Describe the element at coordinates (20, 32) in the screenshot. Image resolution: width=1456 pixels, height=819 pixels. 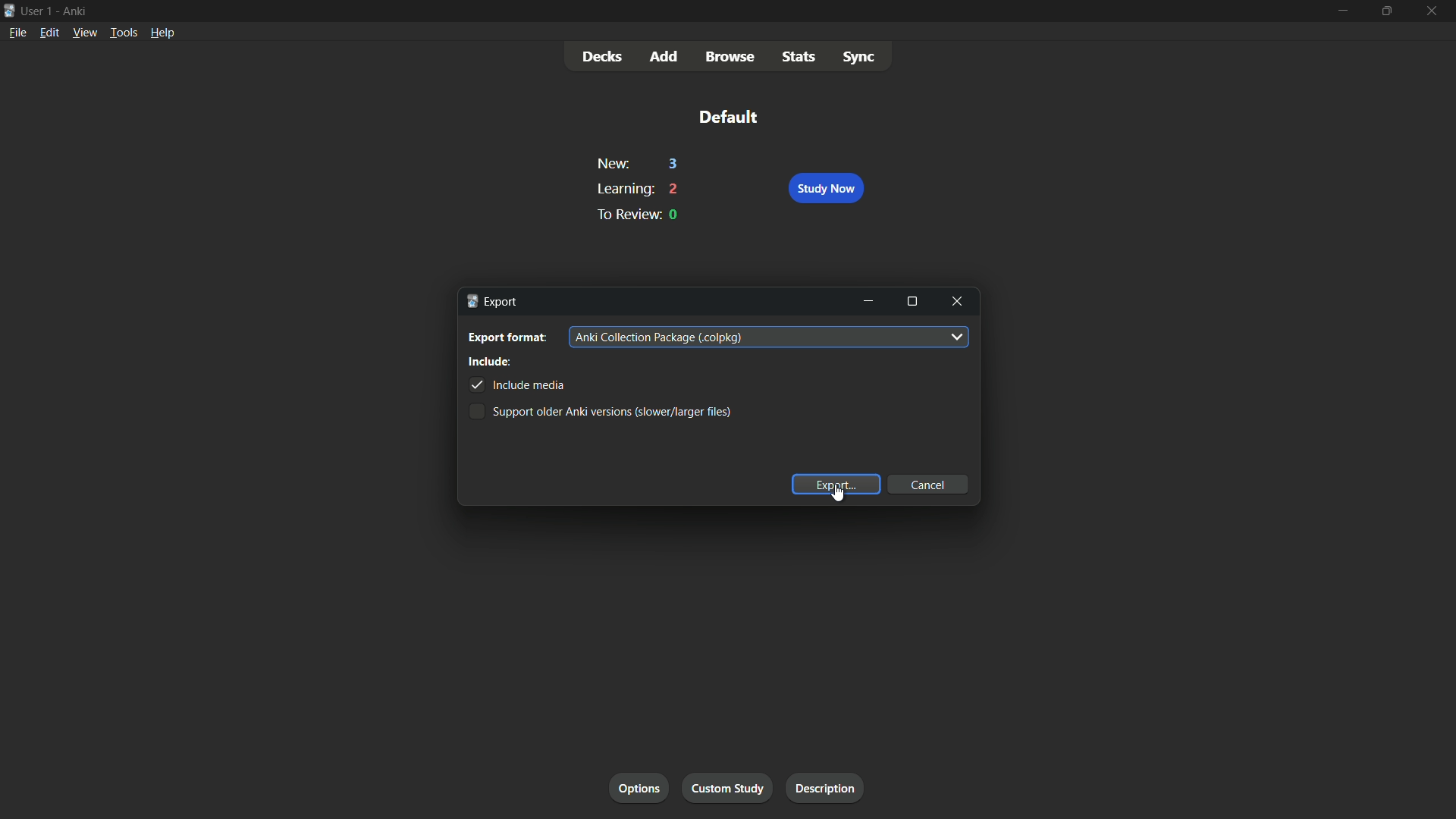
I see `file menu` at that location.